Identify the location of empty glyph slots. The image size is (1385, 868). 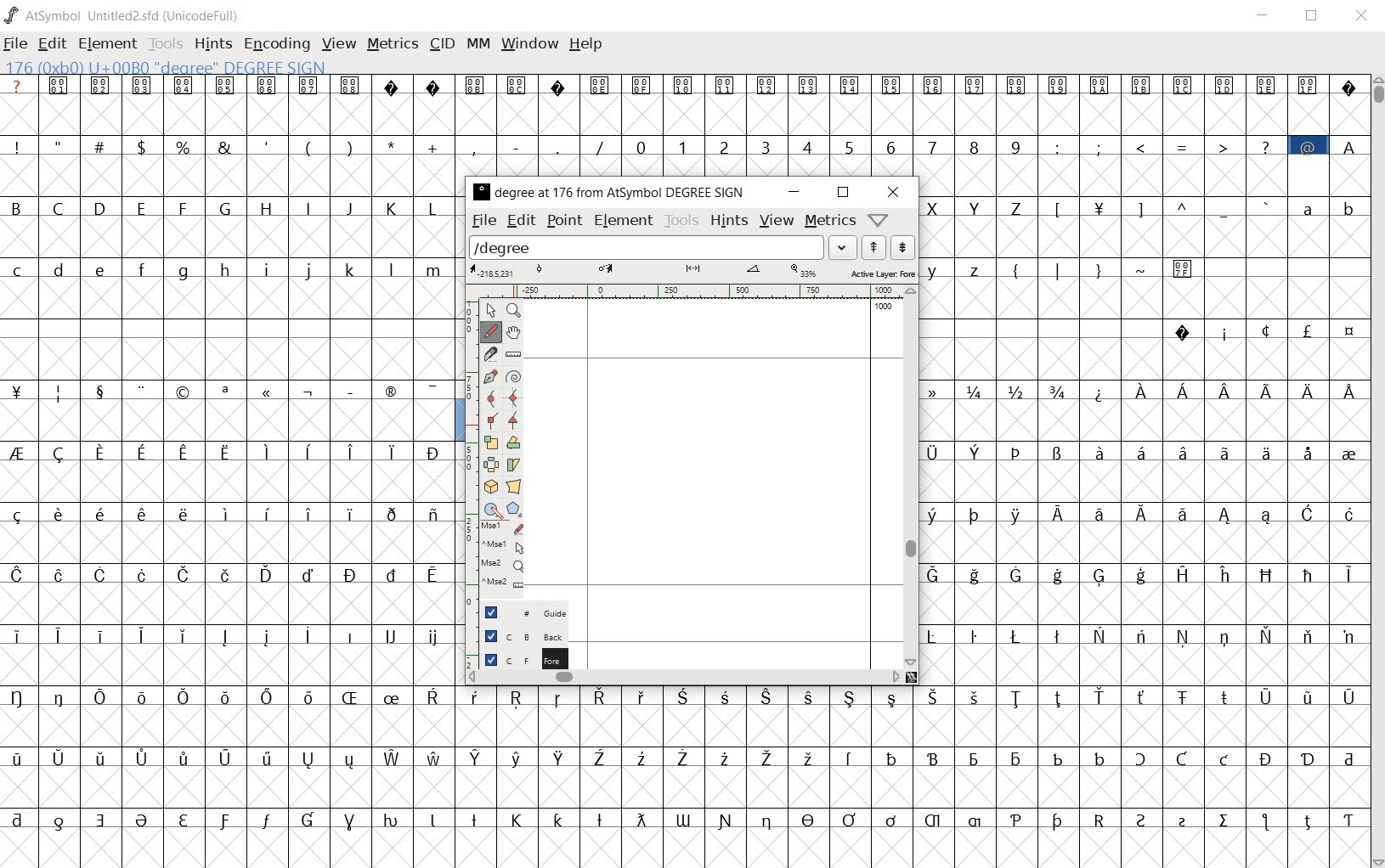
(232, 664).